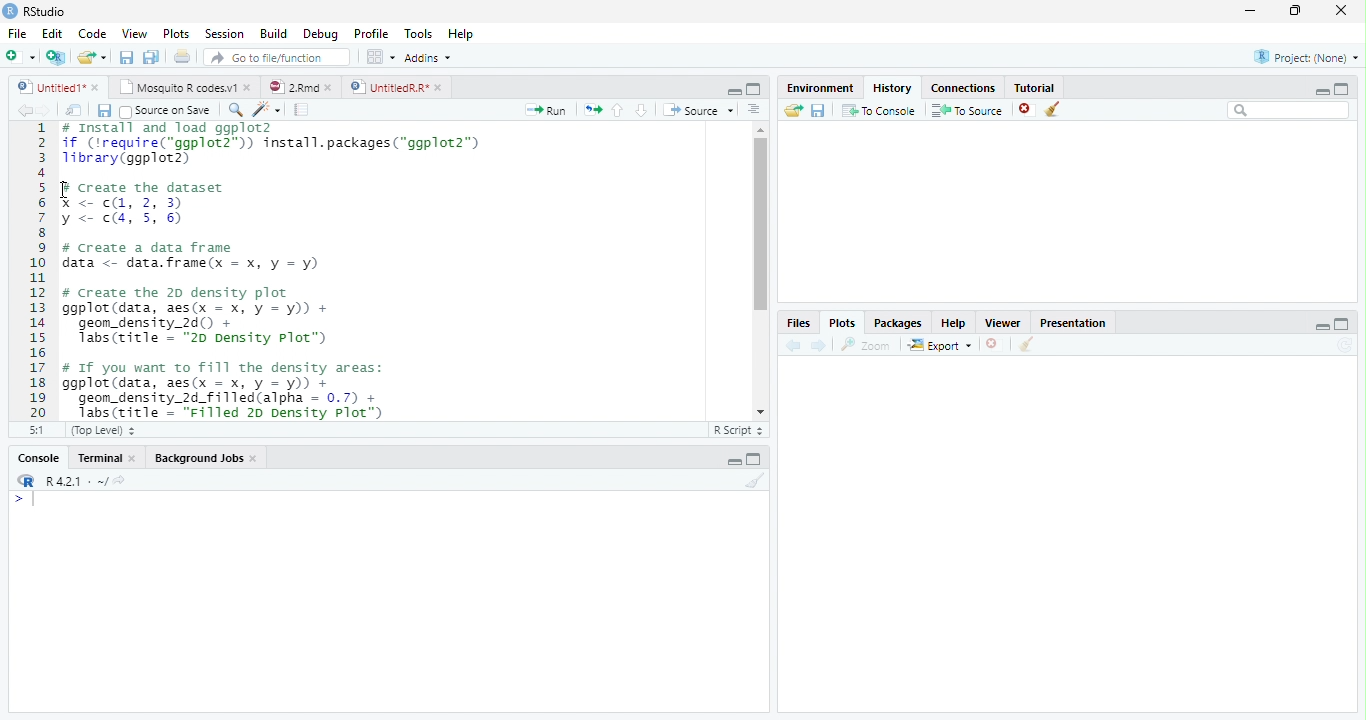 The width and height of the screenshot is (1366, 720). I want to click on Viewer, so click(1001, 322).